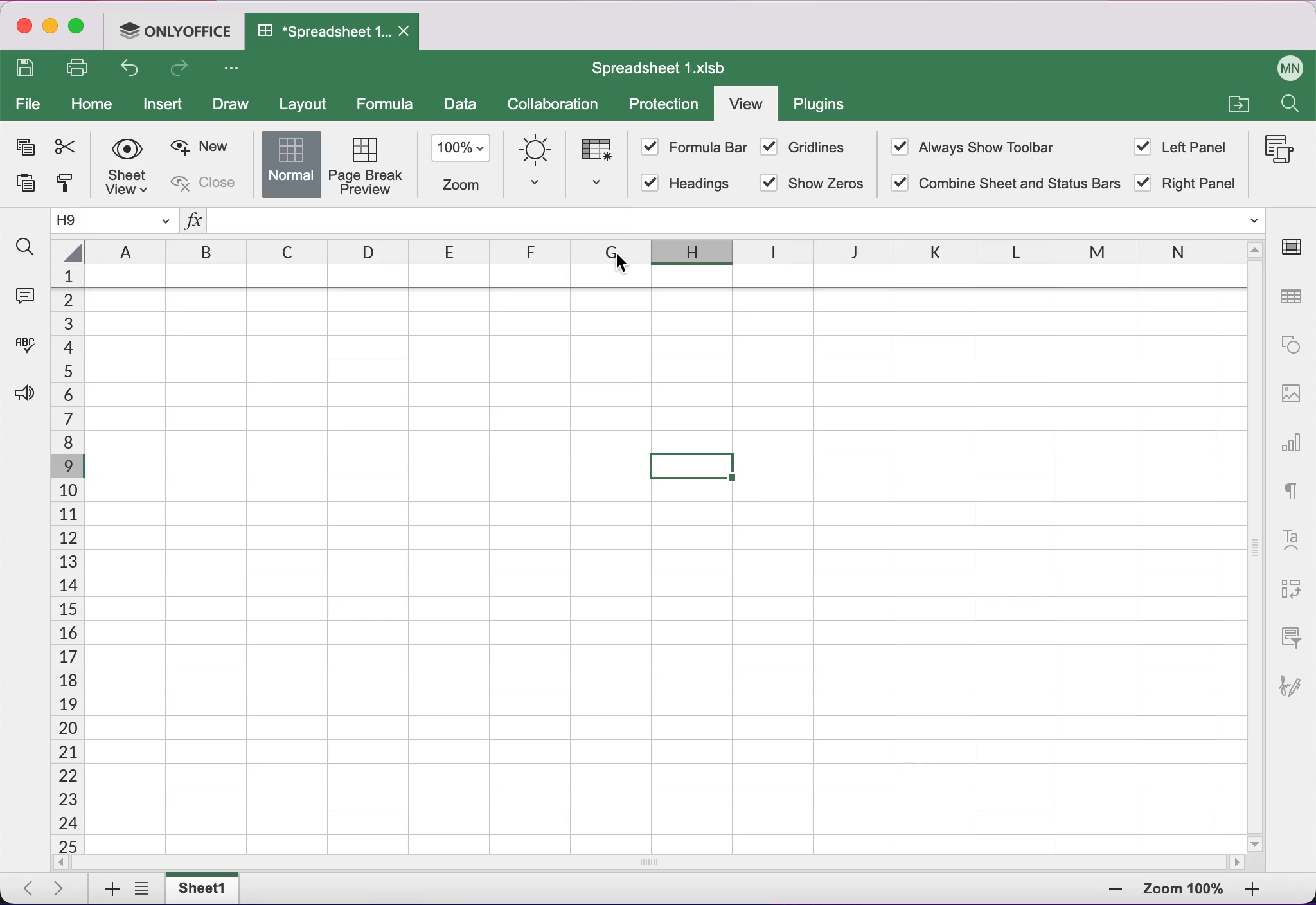  Describe the element at coordinates (1295, 634) in the screenshot. I see `slicer` at that location.